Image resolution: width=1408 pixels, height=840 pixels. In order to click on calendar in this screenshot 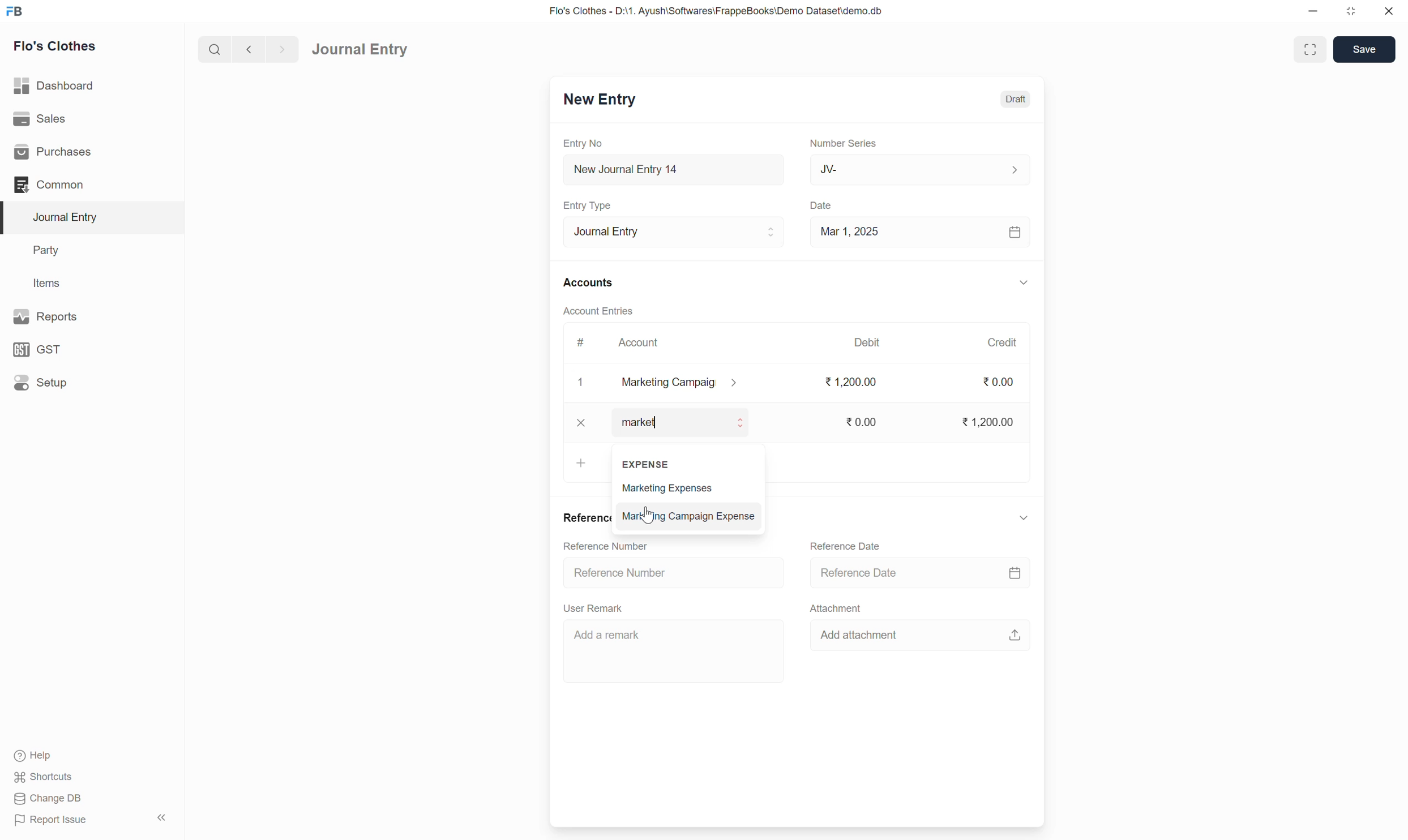, I will do `click(1014, 573)`.